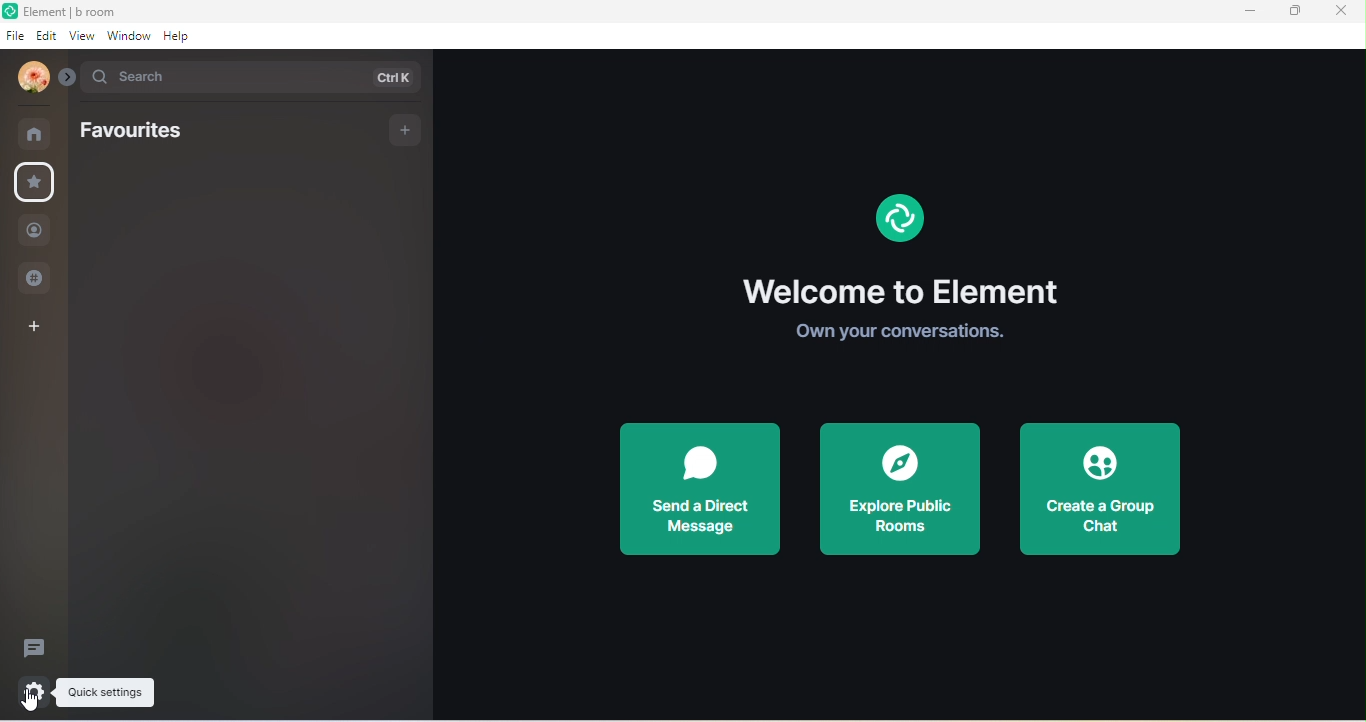 The width and height of the screenshot is (1366, 722). Describe the element at coordinates (35, 646) in the screenshot. I see `threads` at that location.